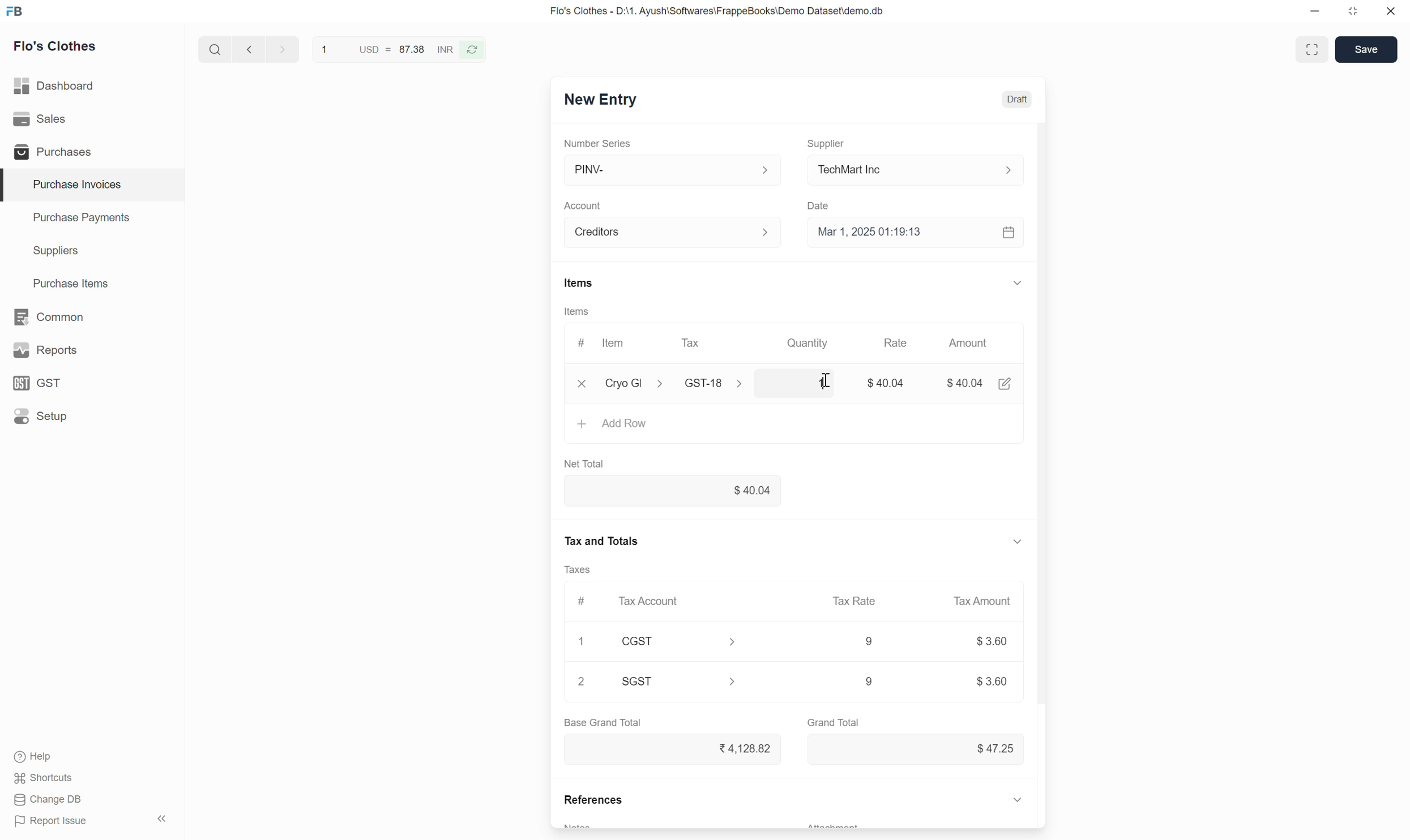 This screenshot has height=840, width=1410. Describe the element at coordinates (890, 383) in the screenshot. I see `$40.04` at that location.